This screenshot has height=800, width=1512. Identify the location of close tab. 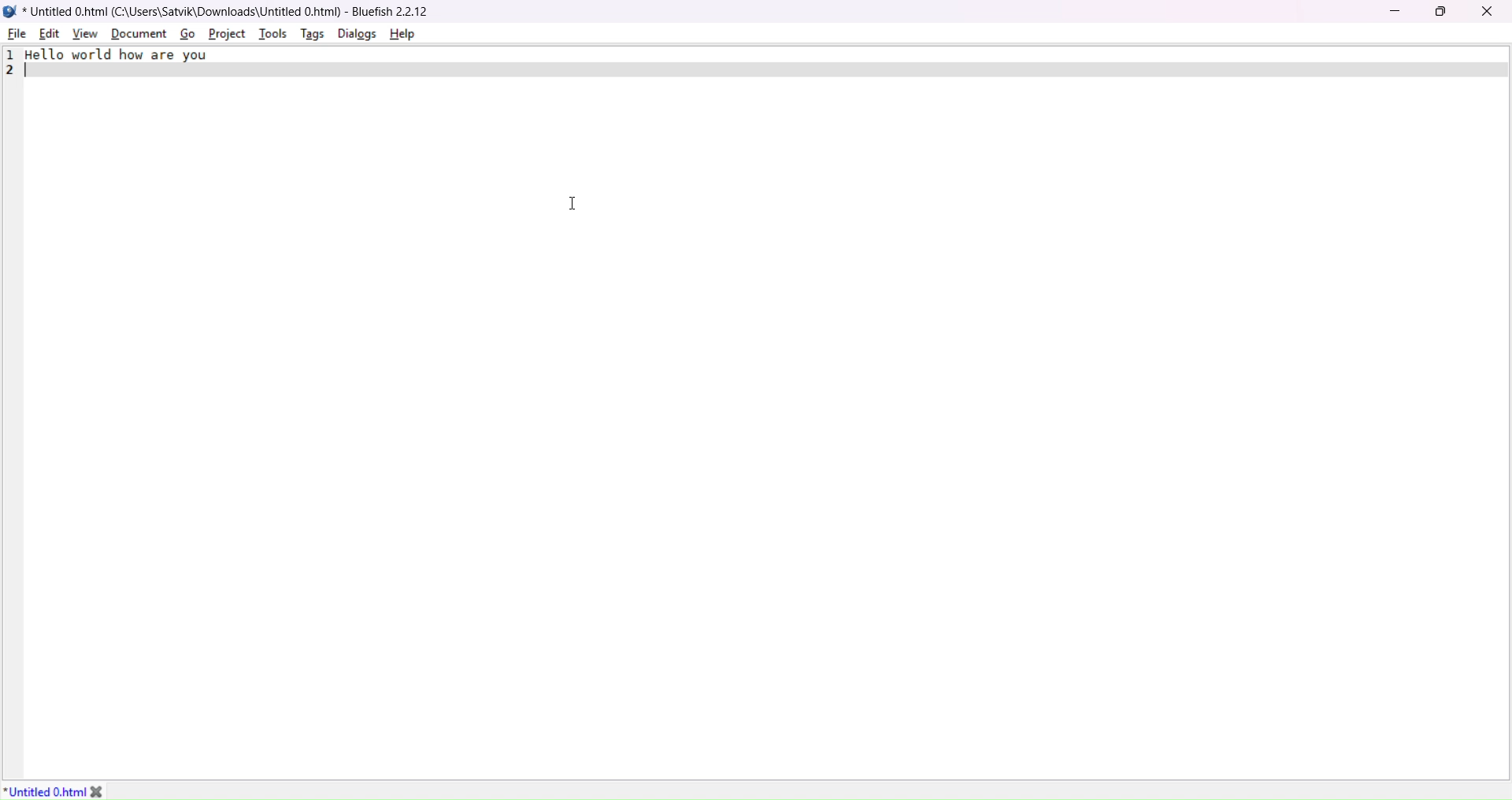
(109, 790).